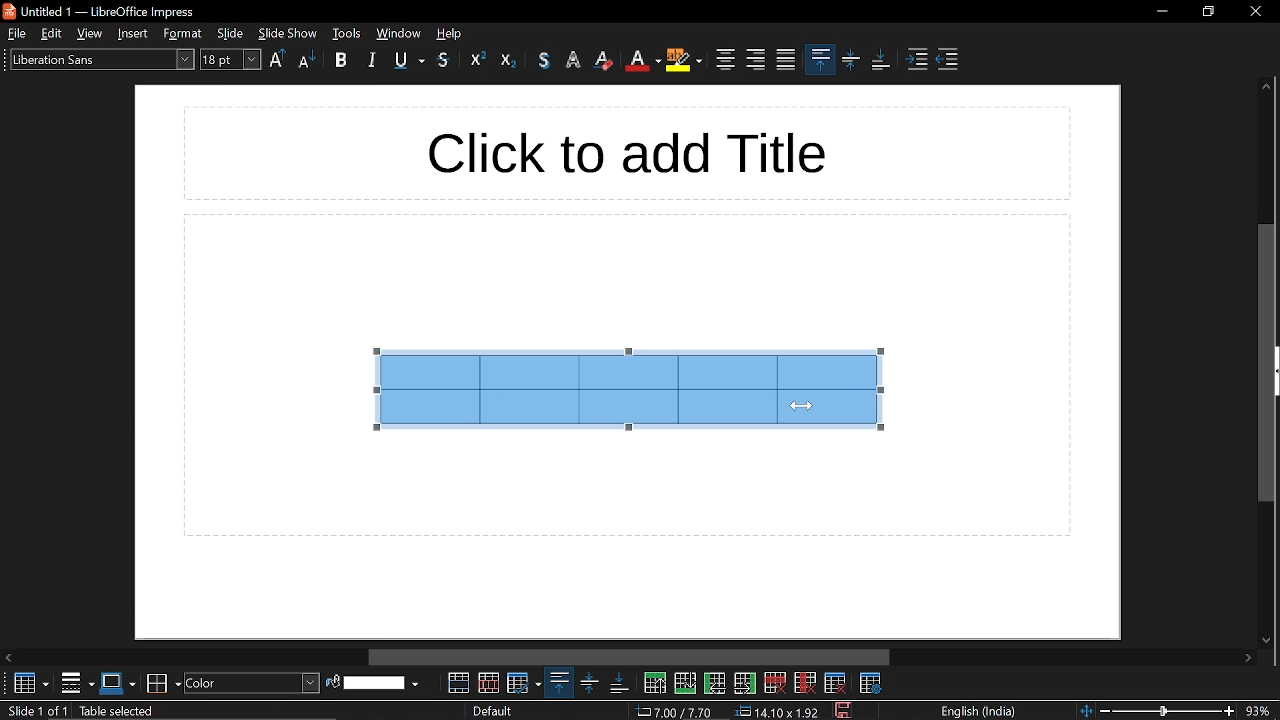 This screenshot has height=720, width=1280. Describe the element at coordinates (252, 683) in the screenshot. I see `fill style` at that location.